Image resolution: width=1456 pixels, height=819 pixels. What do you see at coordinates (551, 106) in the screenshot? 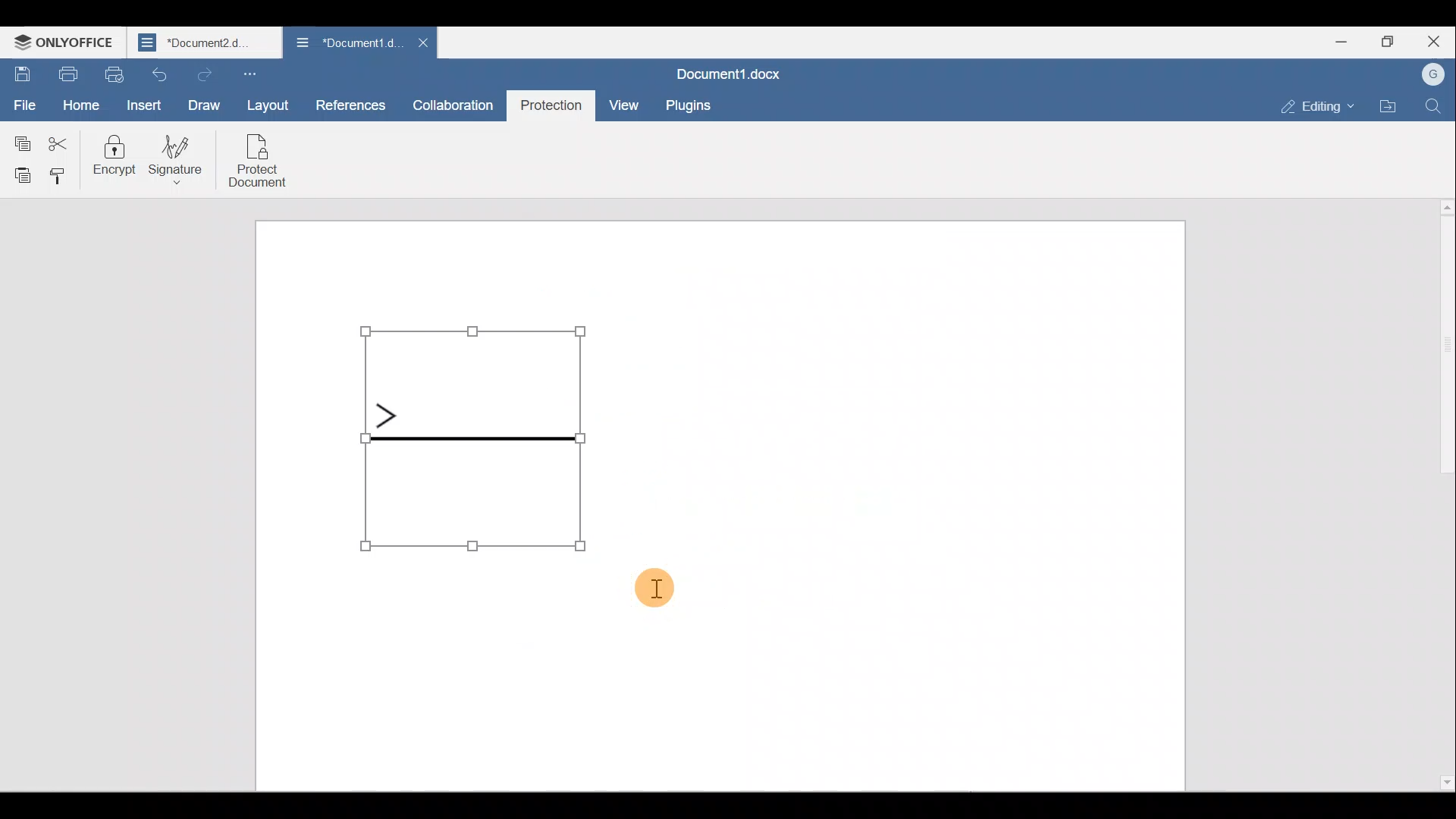
I see `Protection` at bounding box center [551, 106].